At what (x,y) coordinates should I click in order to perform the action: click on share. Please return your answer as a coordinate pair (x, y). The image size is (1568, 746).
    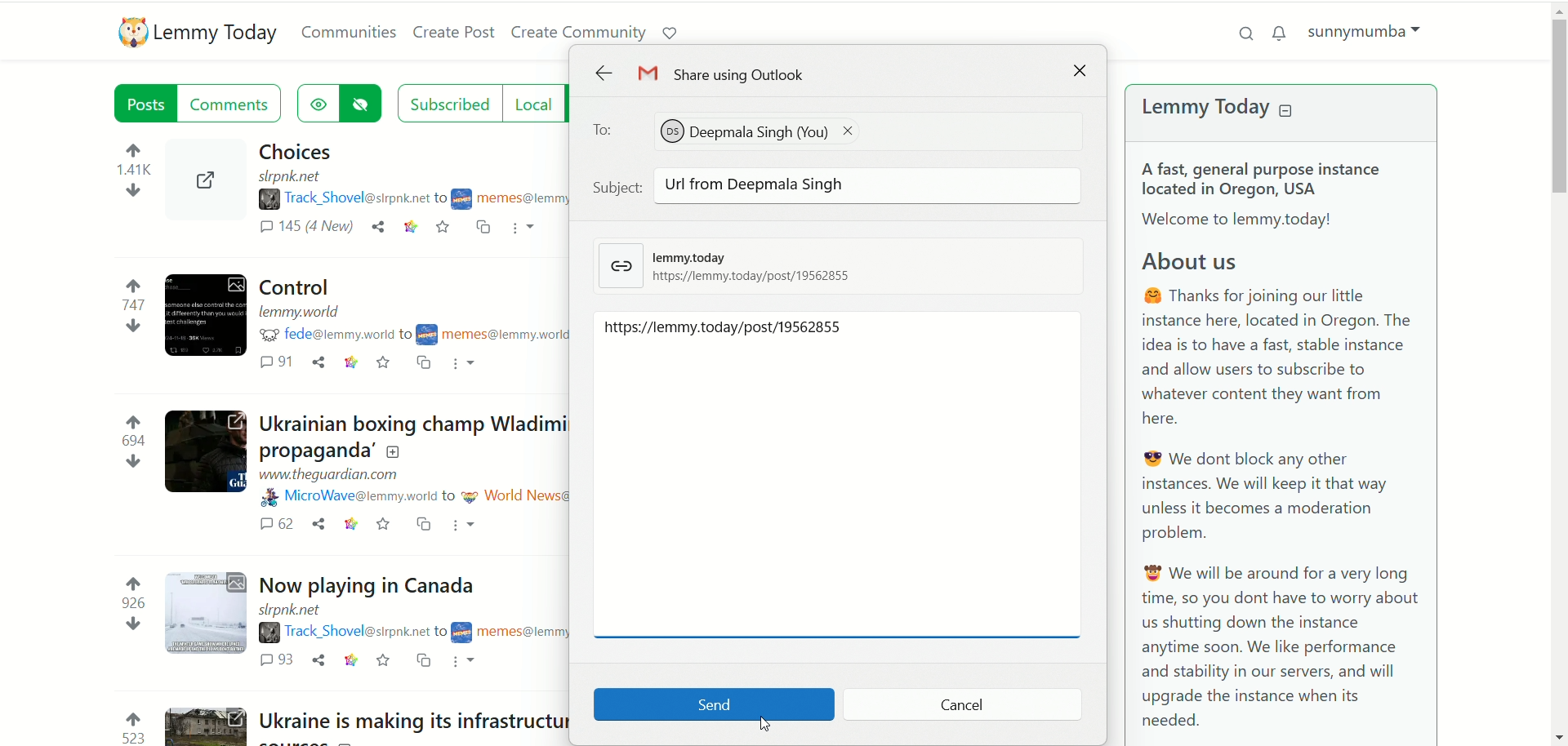
    Looking at the image, I should click on (376, 229).